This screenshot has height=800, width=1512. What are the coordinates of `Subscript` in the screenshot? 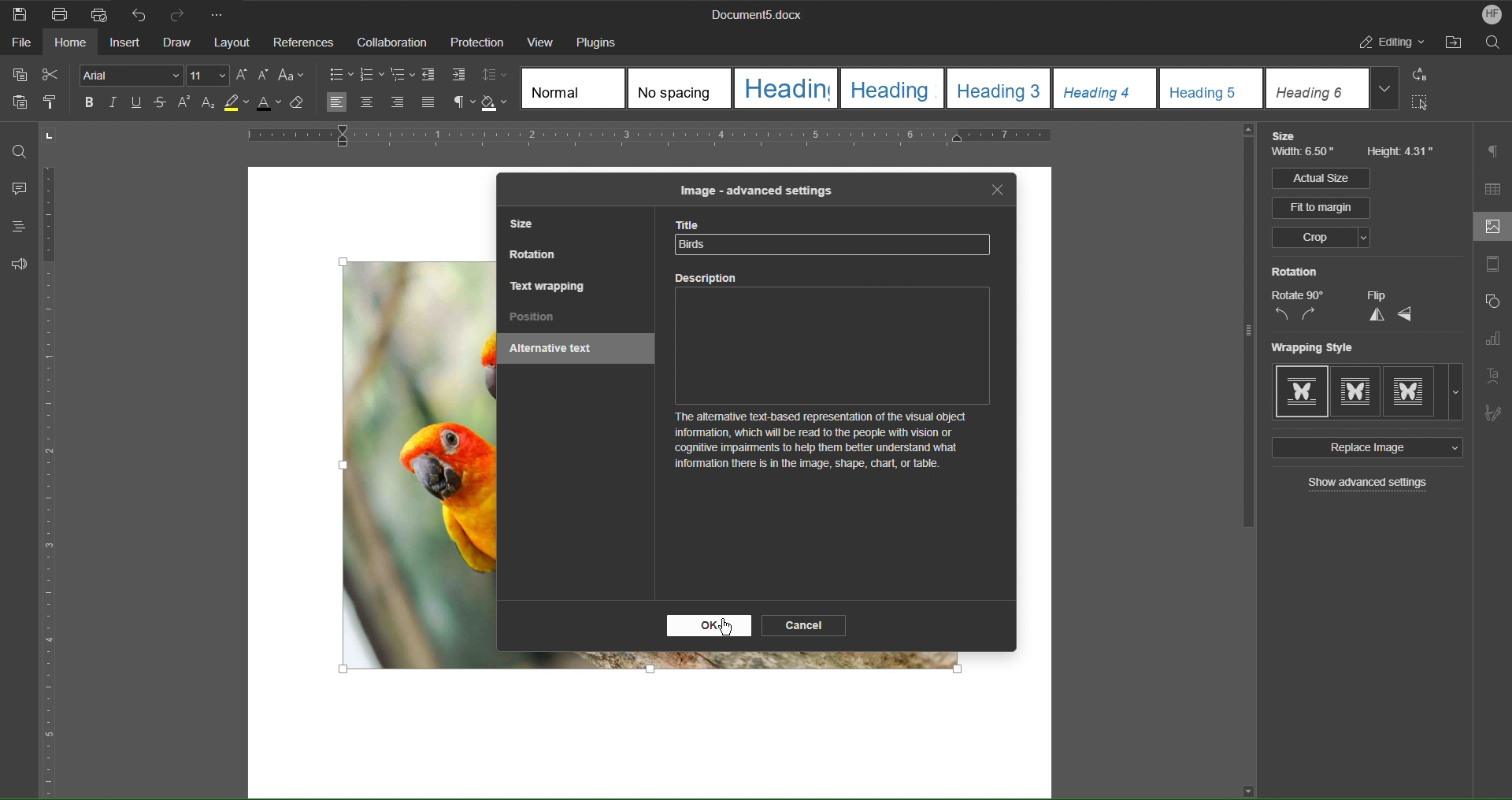 It's located at (209, 106).